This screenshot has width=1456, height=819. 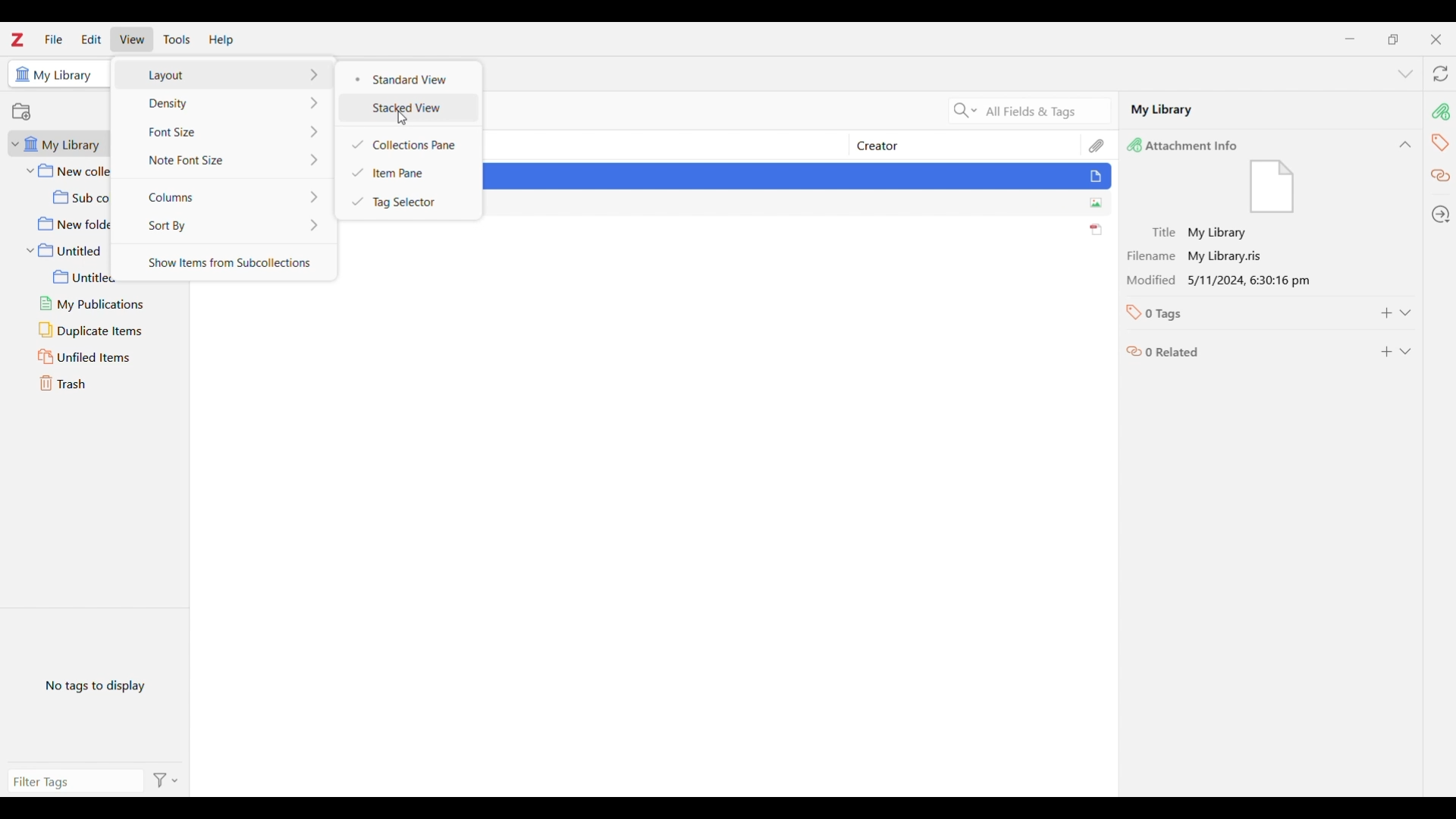 I want to click on Untitled folder, so click(x=66, y=251).